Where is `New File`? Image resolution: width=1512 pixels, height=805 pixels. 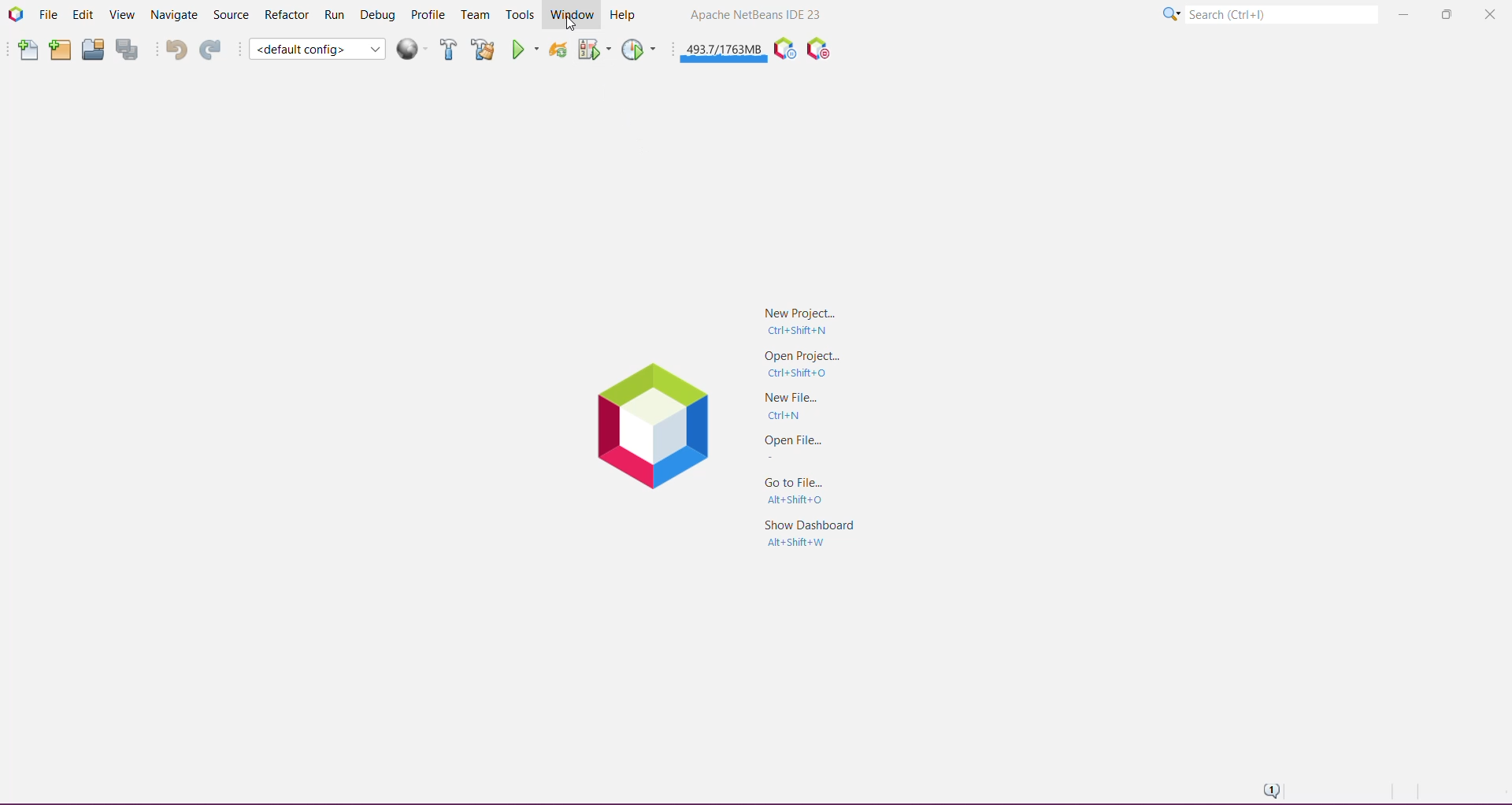
New File is located at coordinates (27, 50).